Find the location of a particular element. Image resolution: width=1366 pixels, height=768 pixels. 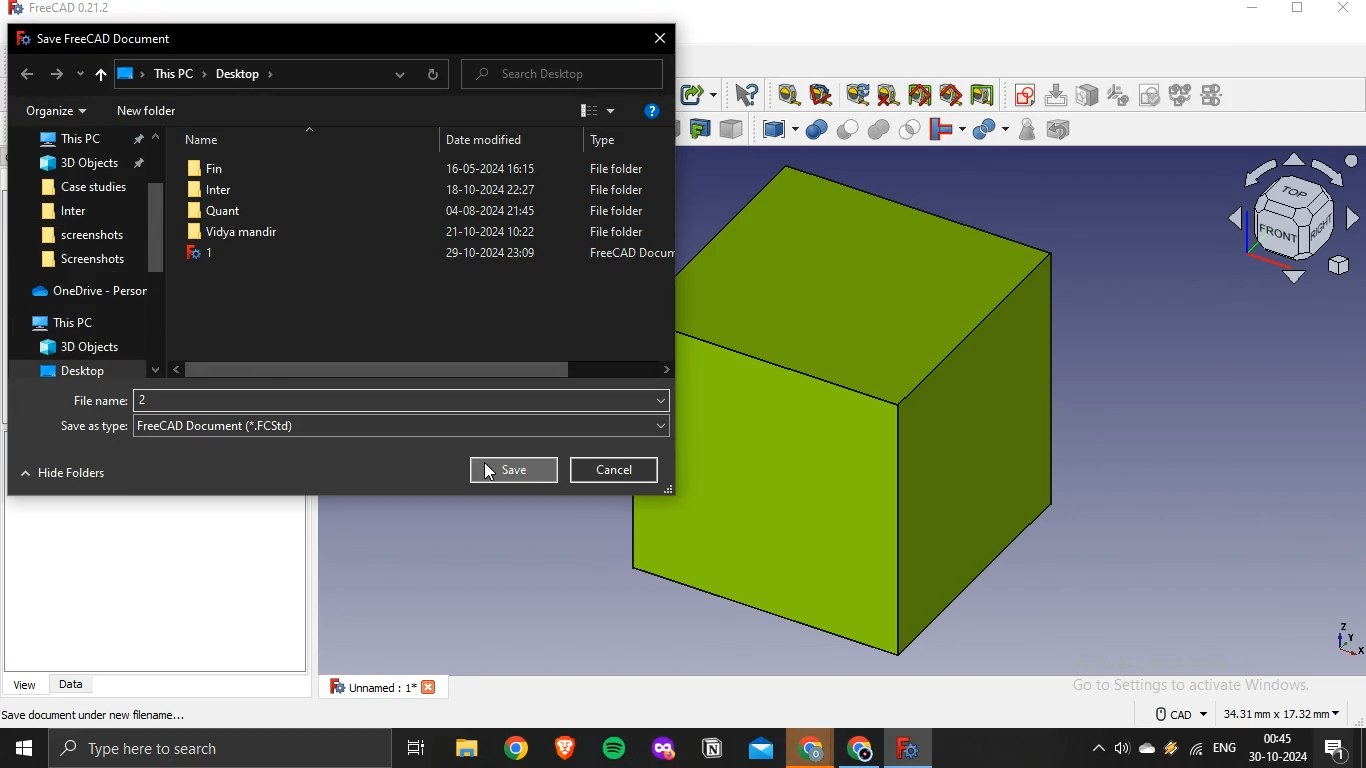

cancel is located at coordinates (613, 470).